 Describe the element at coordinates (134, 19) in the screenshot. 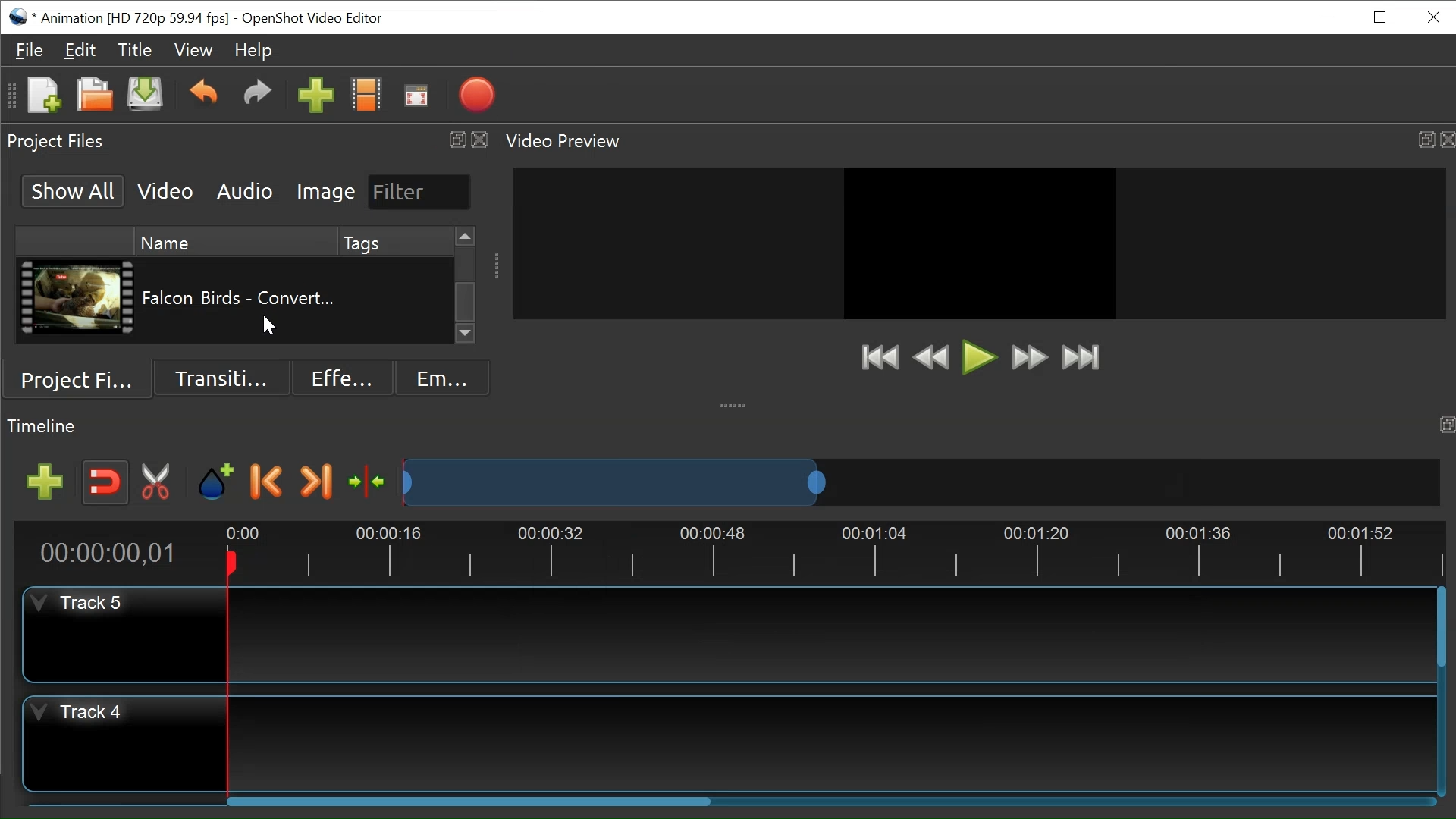

I see `Project Name` at that location.